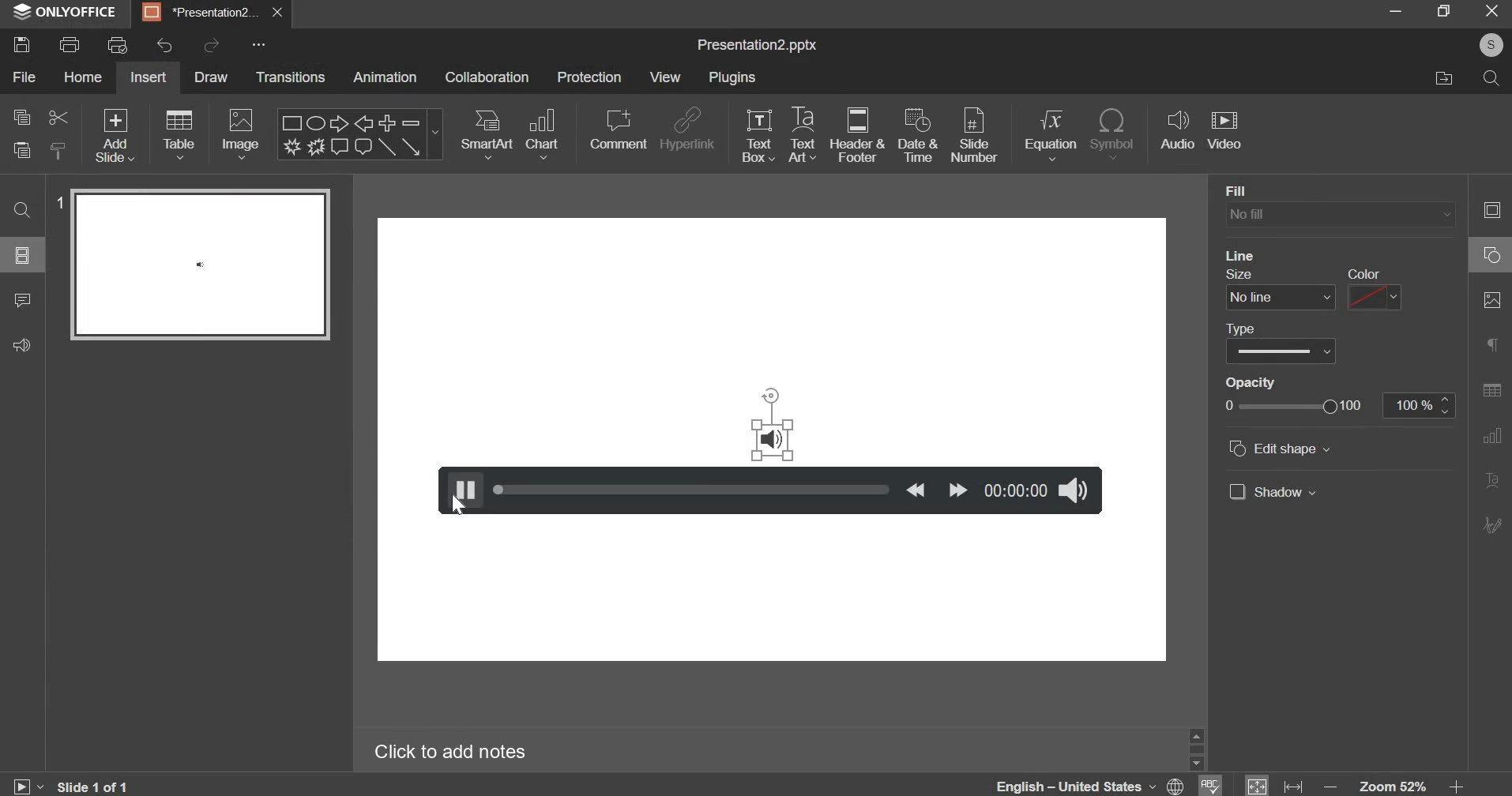 The height and width of the screenshot is (796, 1512). I want to click on redo, so click(213, 45).